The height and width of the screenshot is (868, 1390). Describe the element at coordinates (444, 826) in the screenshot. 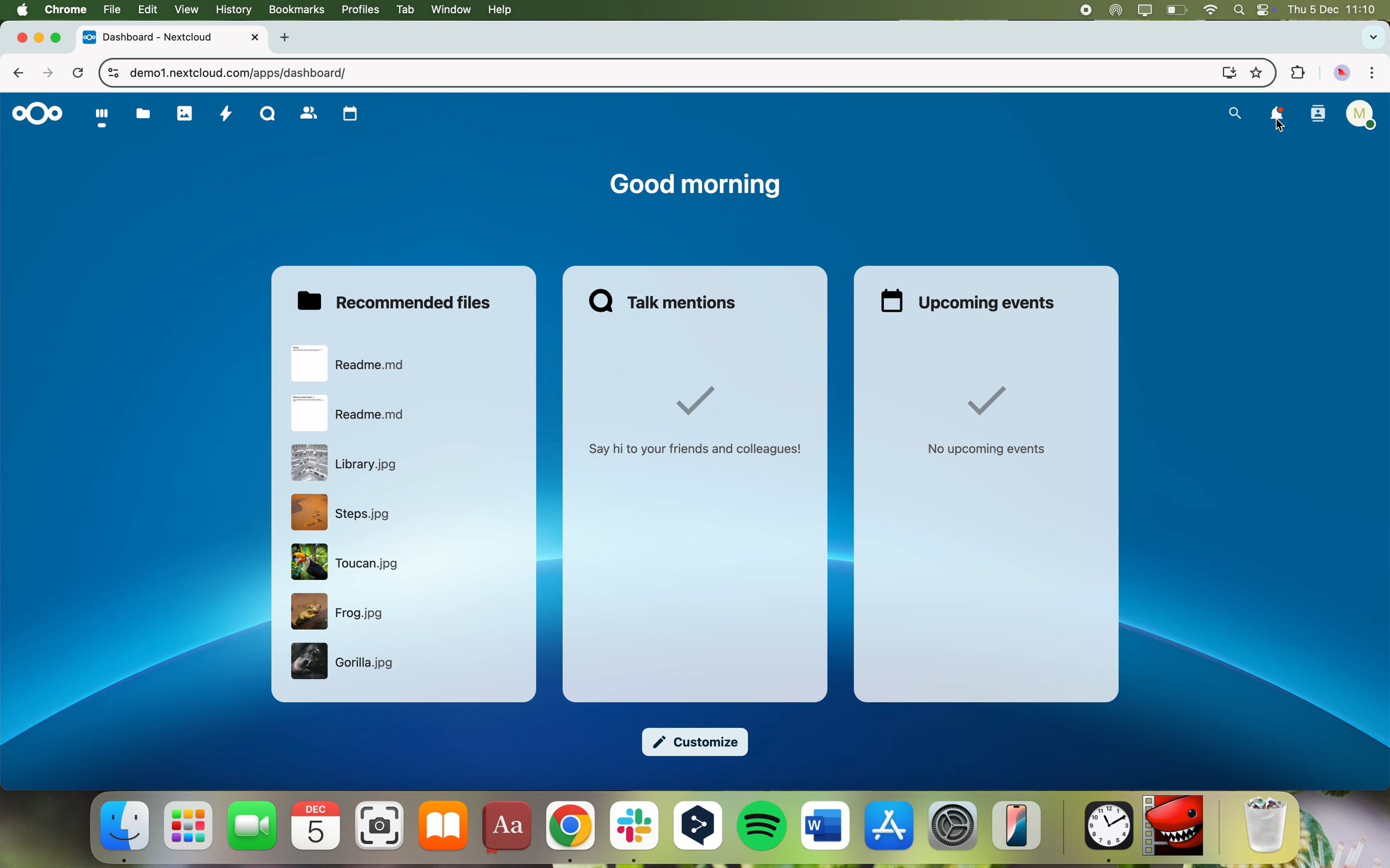

I see `iBooks` at that location.